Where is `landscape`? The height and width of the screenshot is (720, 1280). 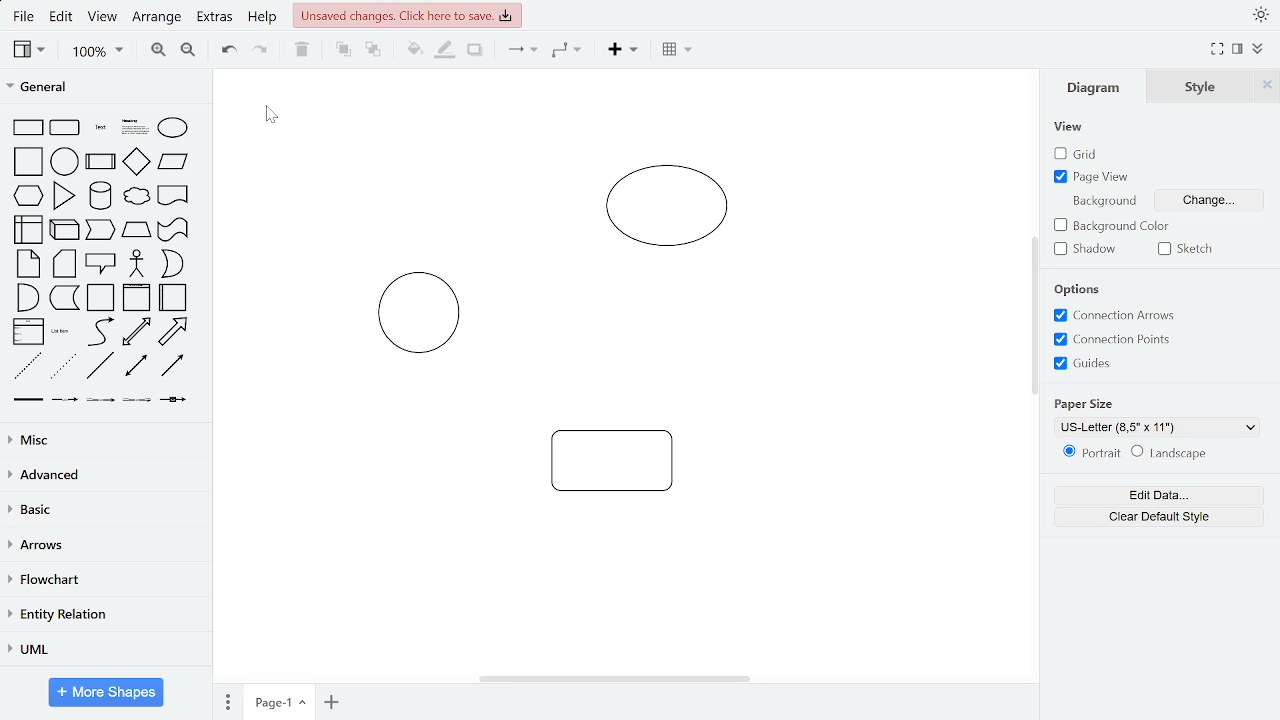 landscape is located at coordinates (1175, 453).